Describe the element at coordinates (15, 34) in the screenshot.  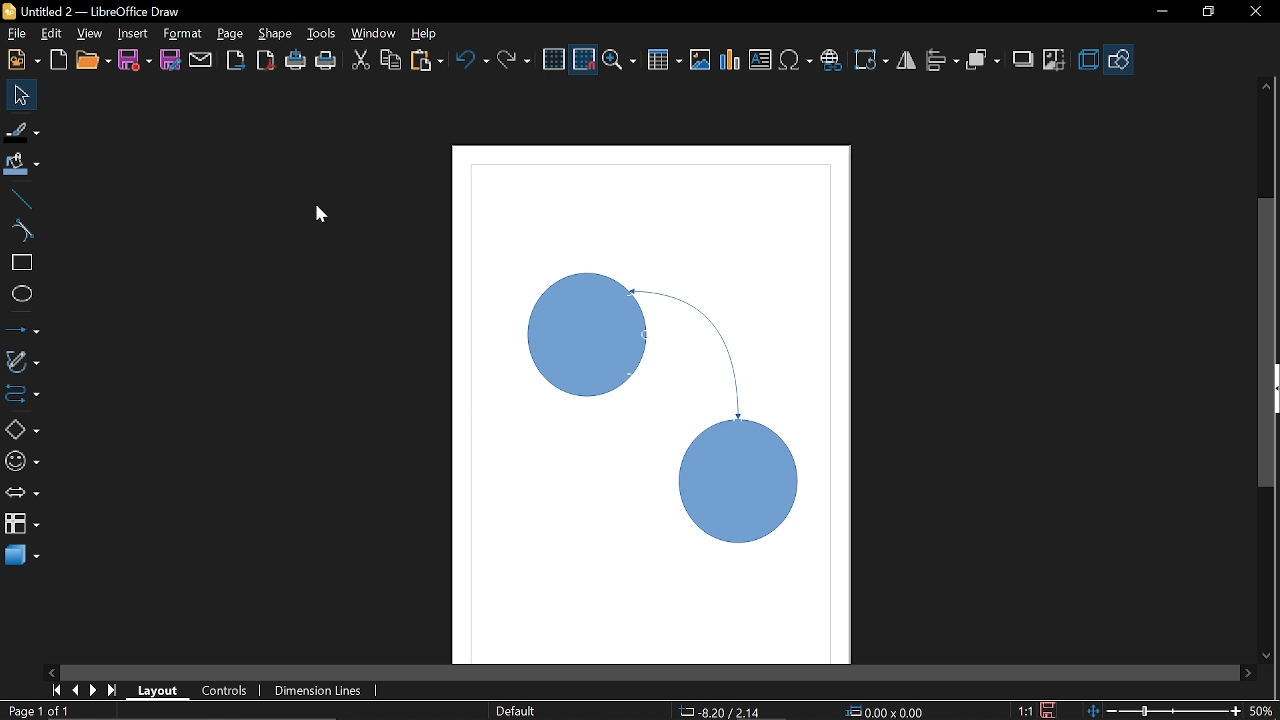
I see `file ` at that location.